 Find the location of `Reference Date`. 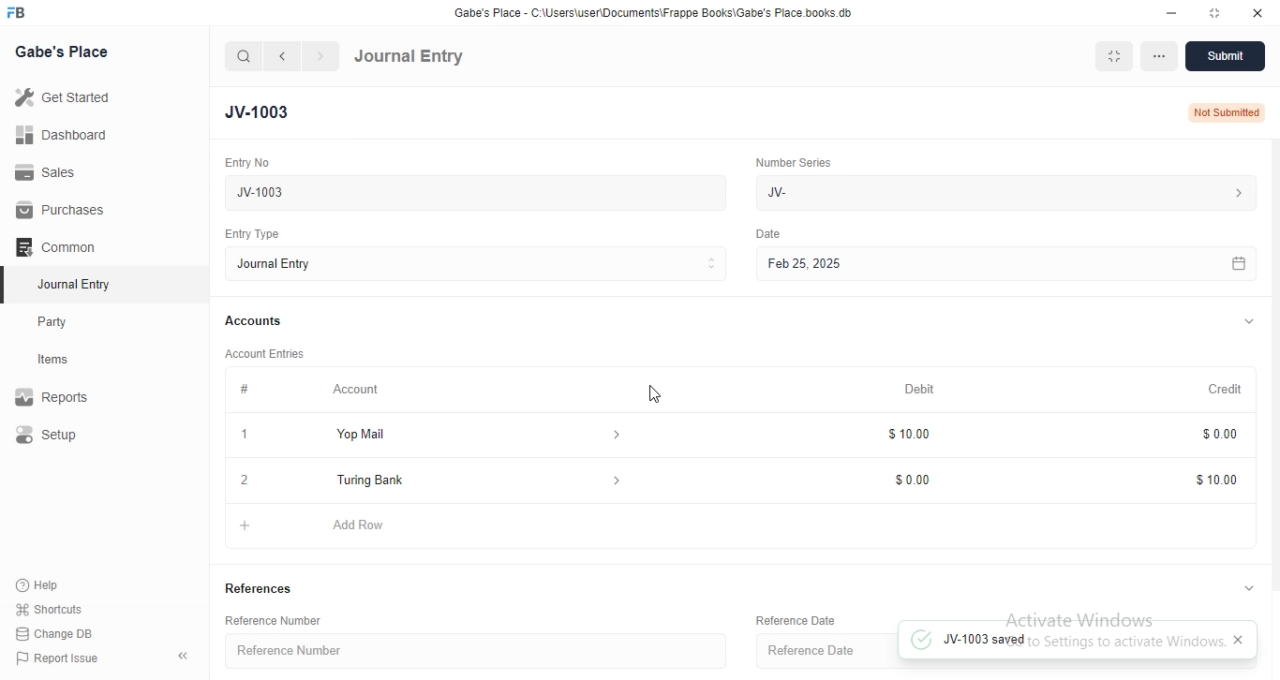

Reference Date is located at coordinates (799, 619).